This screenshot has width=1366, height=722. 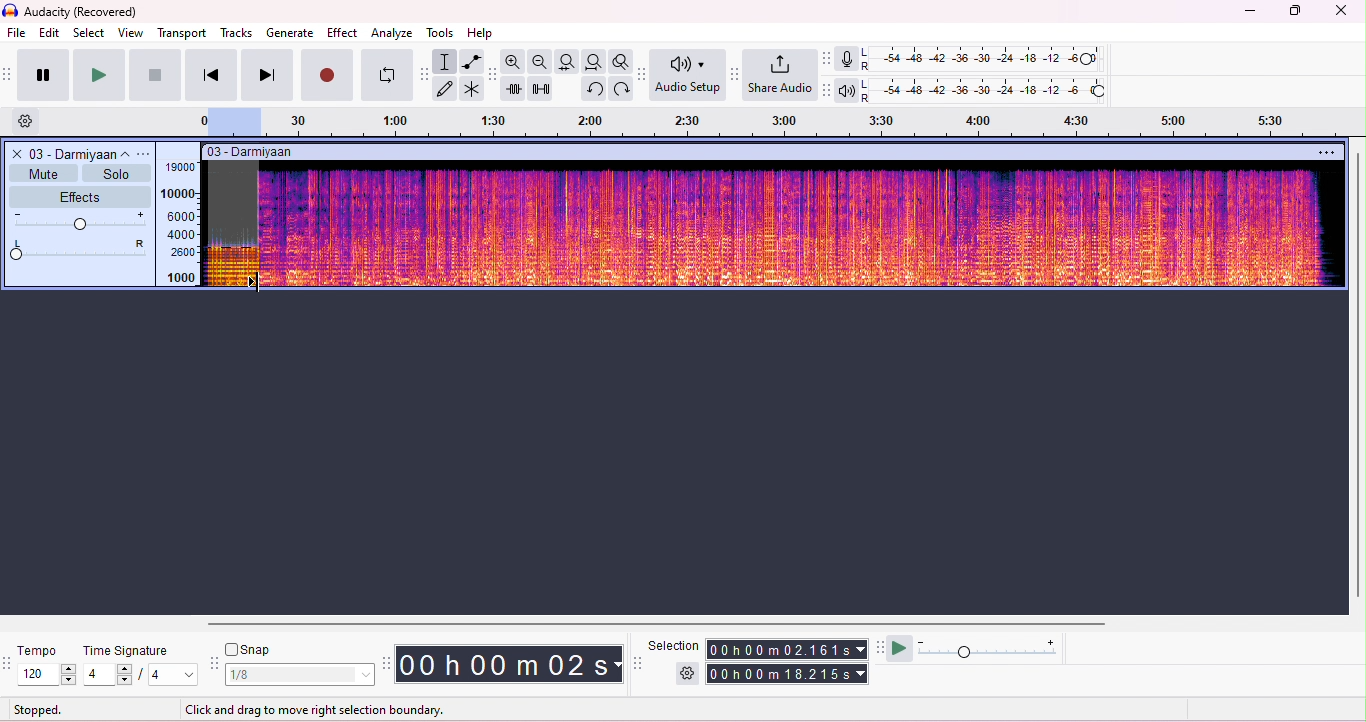 What do you see at coordinates (79, 251) in the screenshot?
I see `pan` at bounding box center [79, 251].